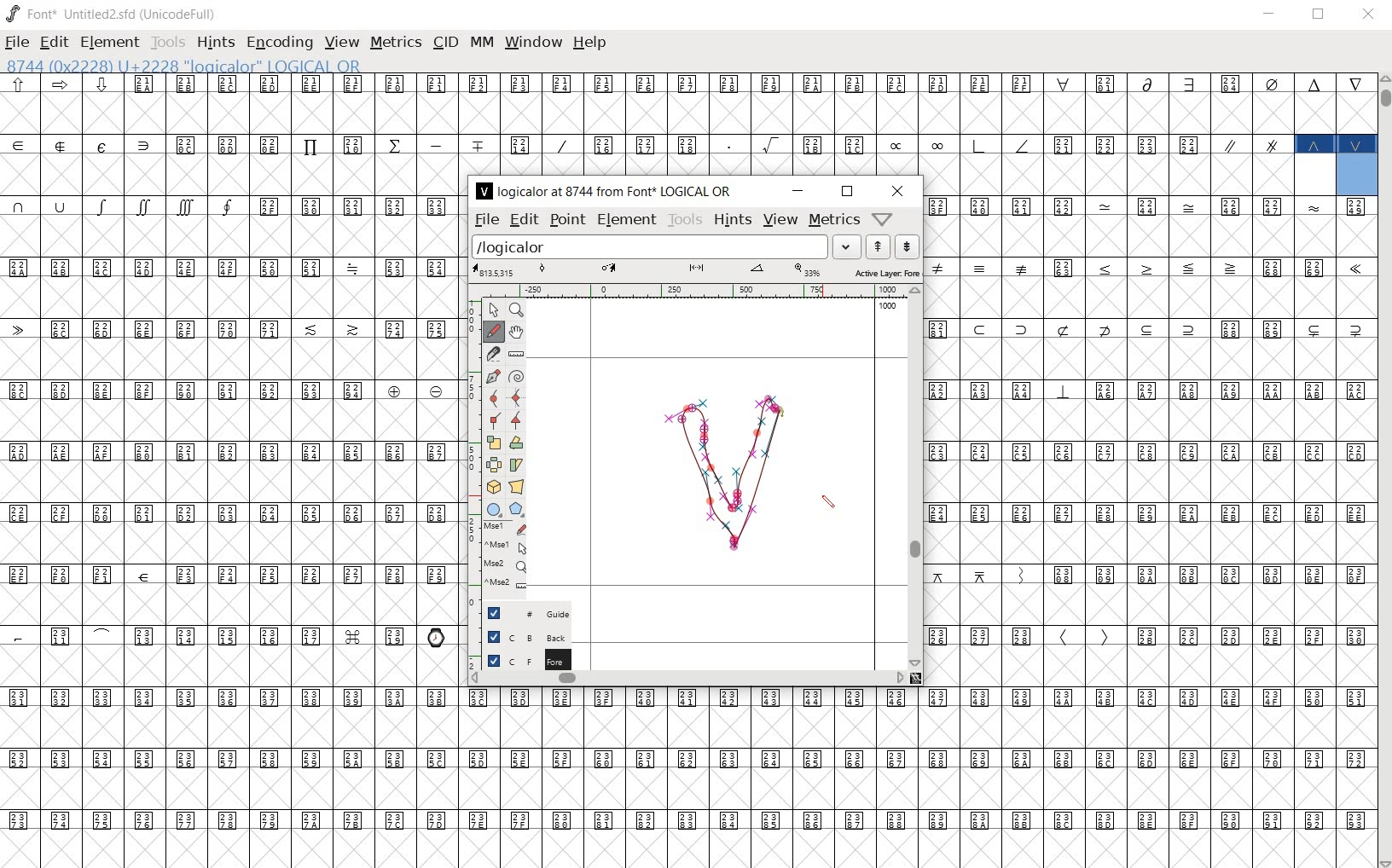 This screenshot has height=868, width=1392. Describe the element at coordinates (566, 220) in the screenshot. I see `point` at that location.